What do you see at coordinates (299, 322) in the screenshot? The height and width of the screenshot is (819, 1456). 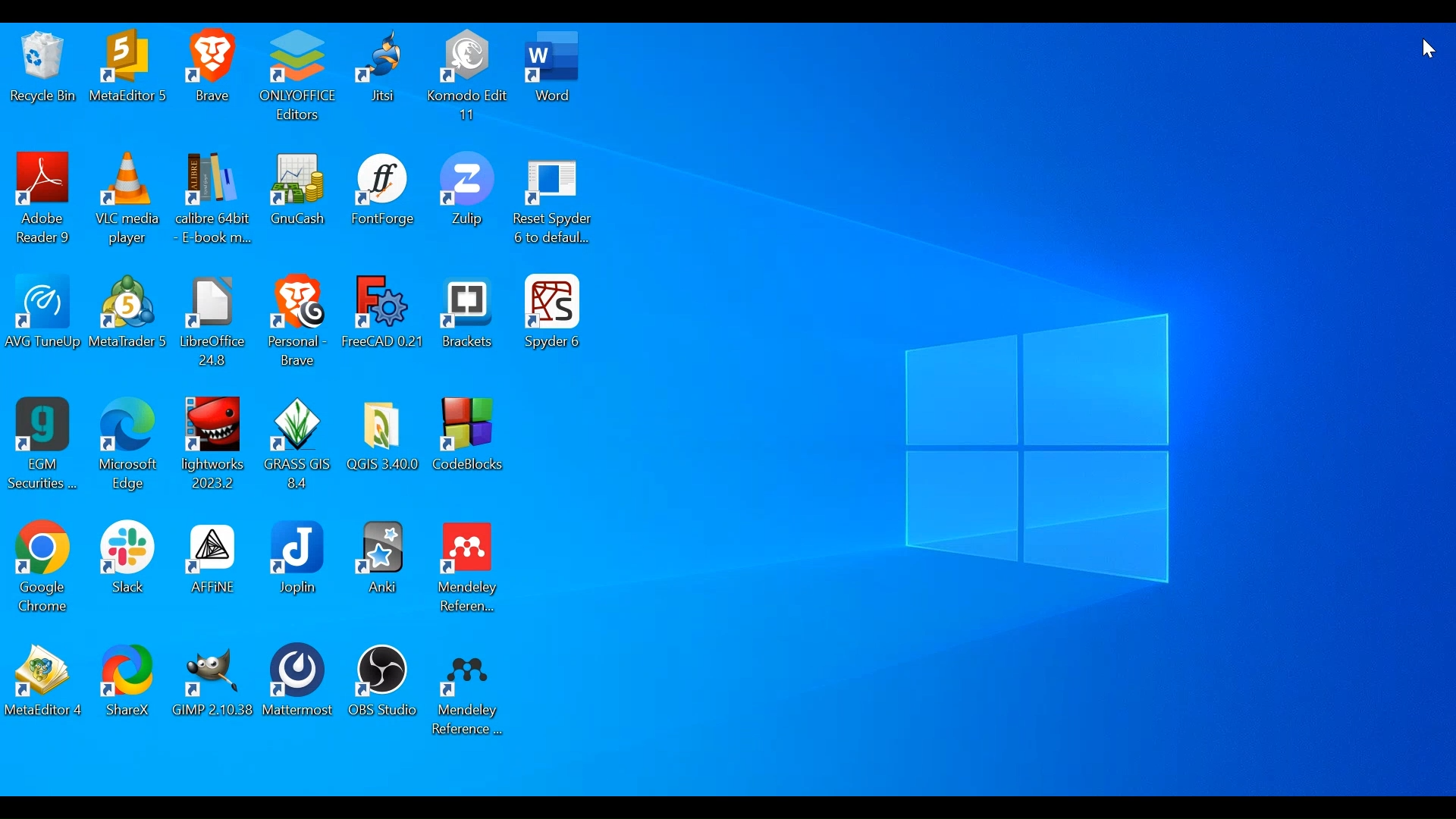 I see `Personal- Brave ` at bounding box center [299, 322].